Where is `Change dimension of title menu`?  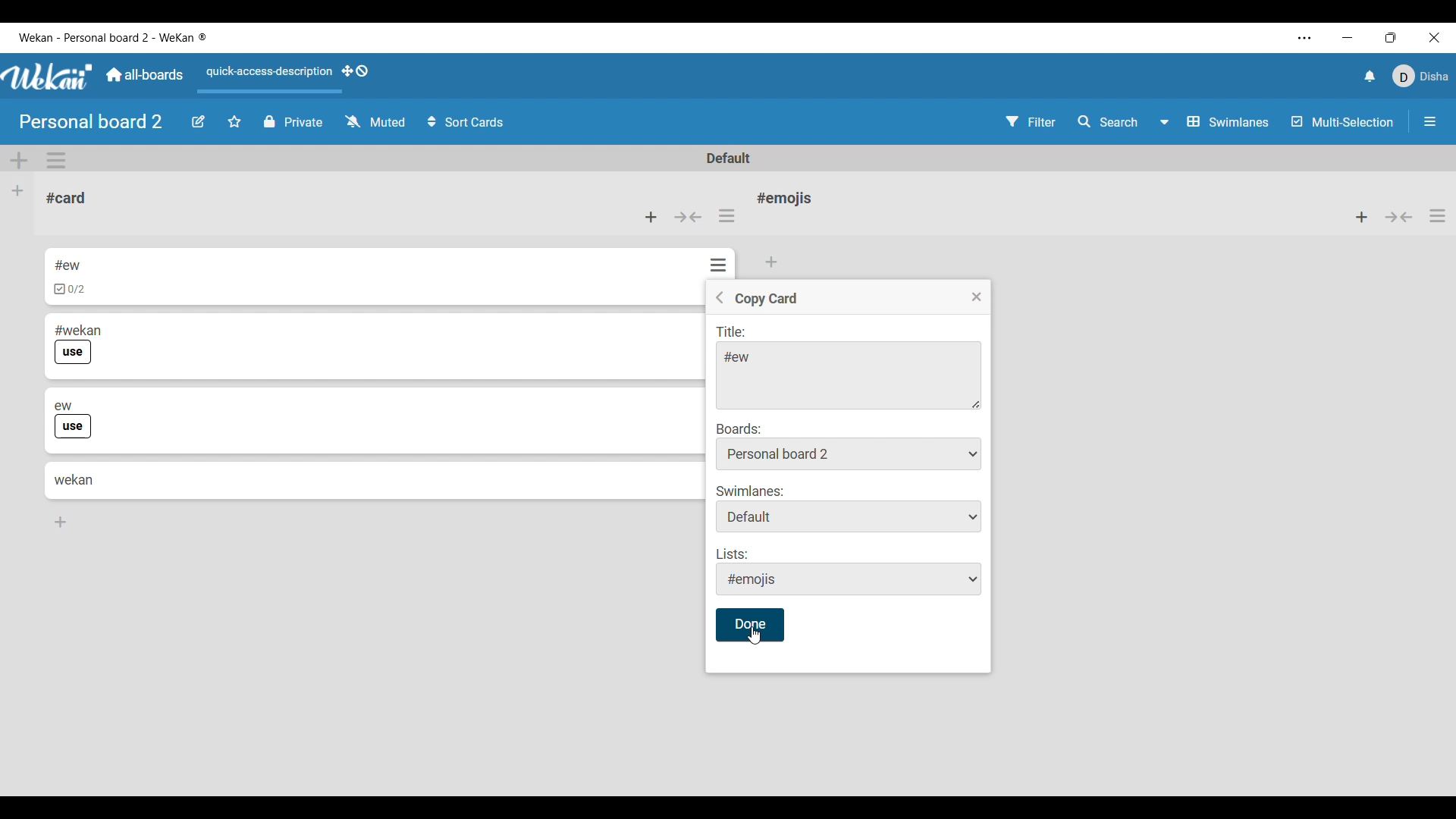 Change dimension of title menu is located at coordinates (977, 404).